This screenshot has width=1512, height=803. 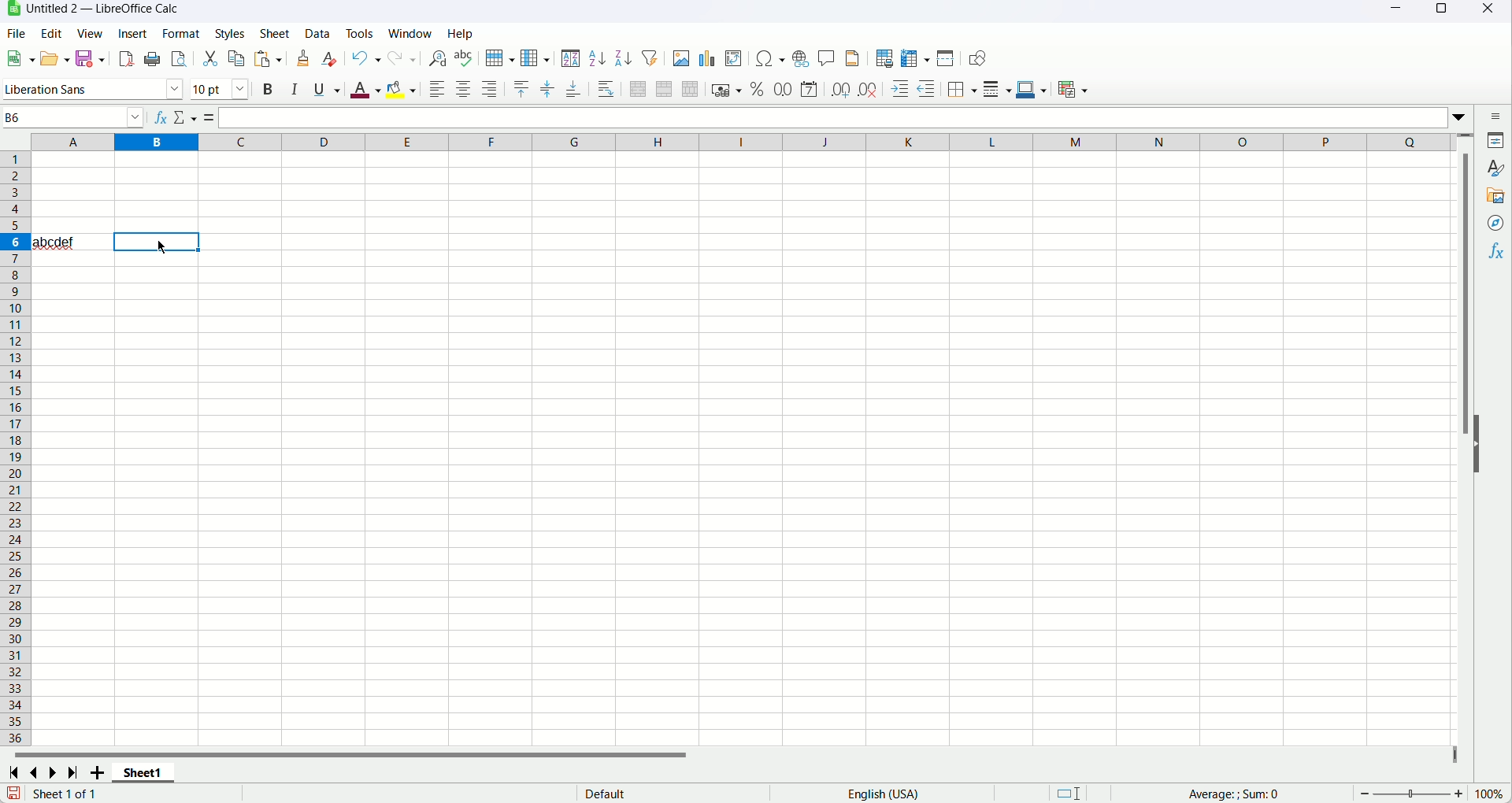 I want to click on center vertically, so click(x=547, y=90).